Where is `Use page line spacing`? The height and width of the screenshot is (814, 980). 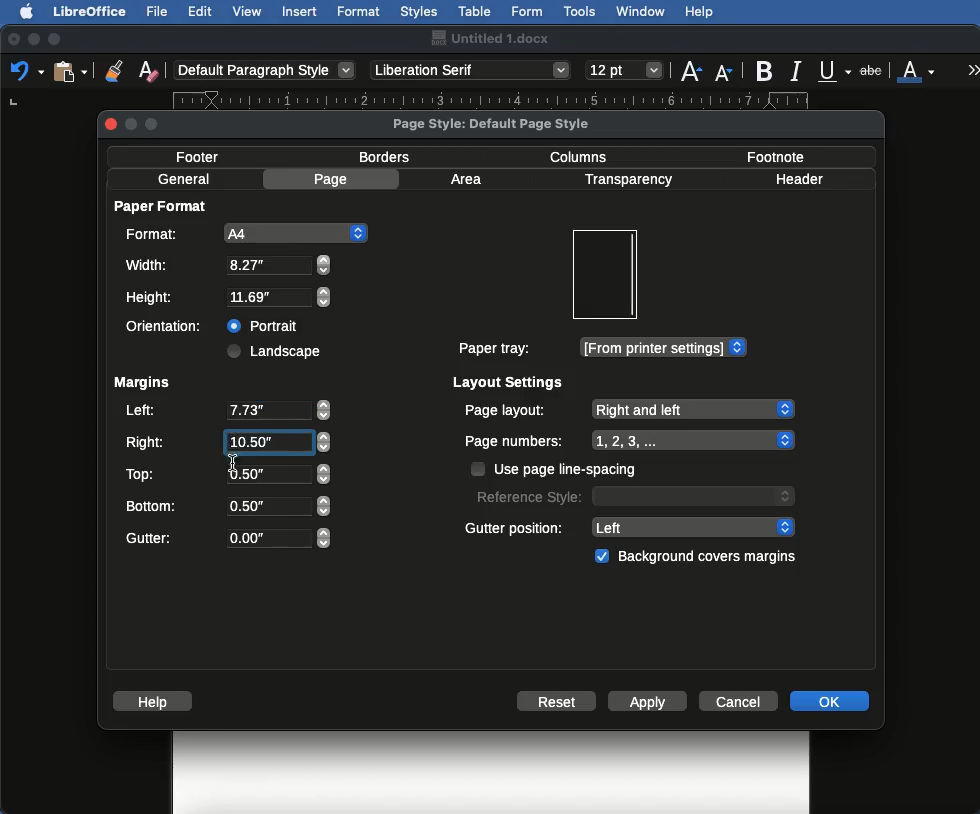
Use page line spacing is located at coordinates (556, 469).